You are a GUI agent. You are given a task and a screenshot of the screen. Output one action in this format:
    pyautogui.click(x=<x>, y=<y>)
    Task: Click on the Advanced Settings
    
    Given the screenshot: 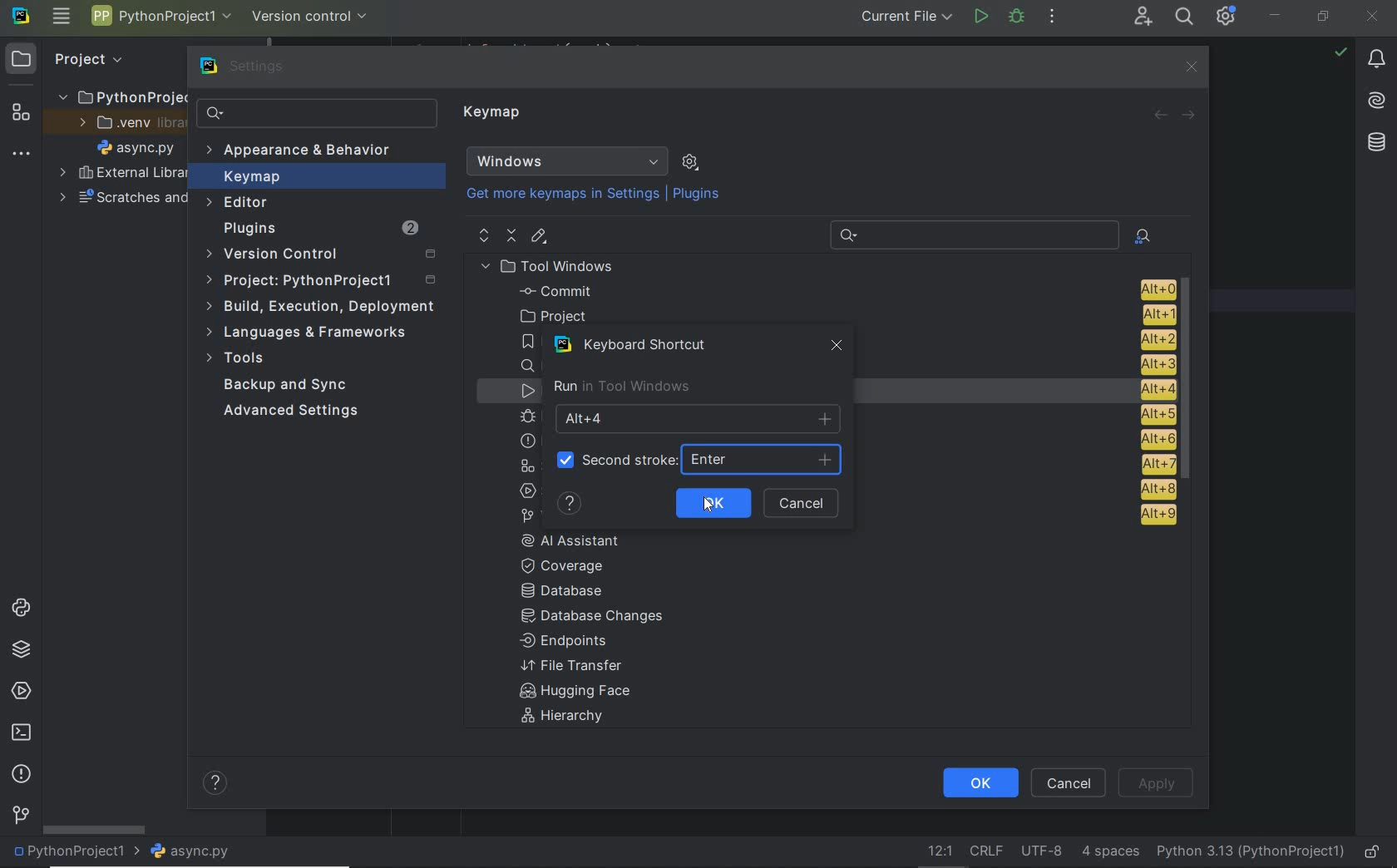 What is the action you would take?
    pyautogui.click(x=294, y=412)
    